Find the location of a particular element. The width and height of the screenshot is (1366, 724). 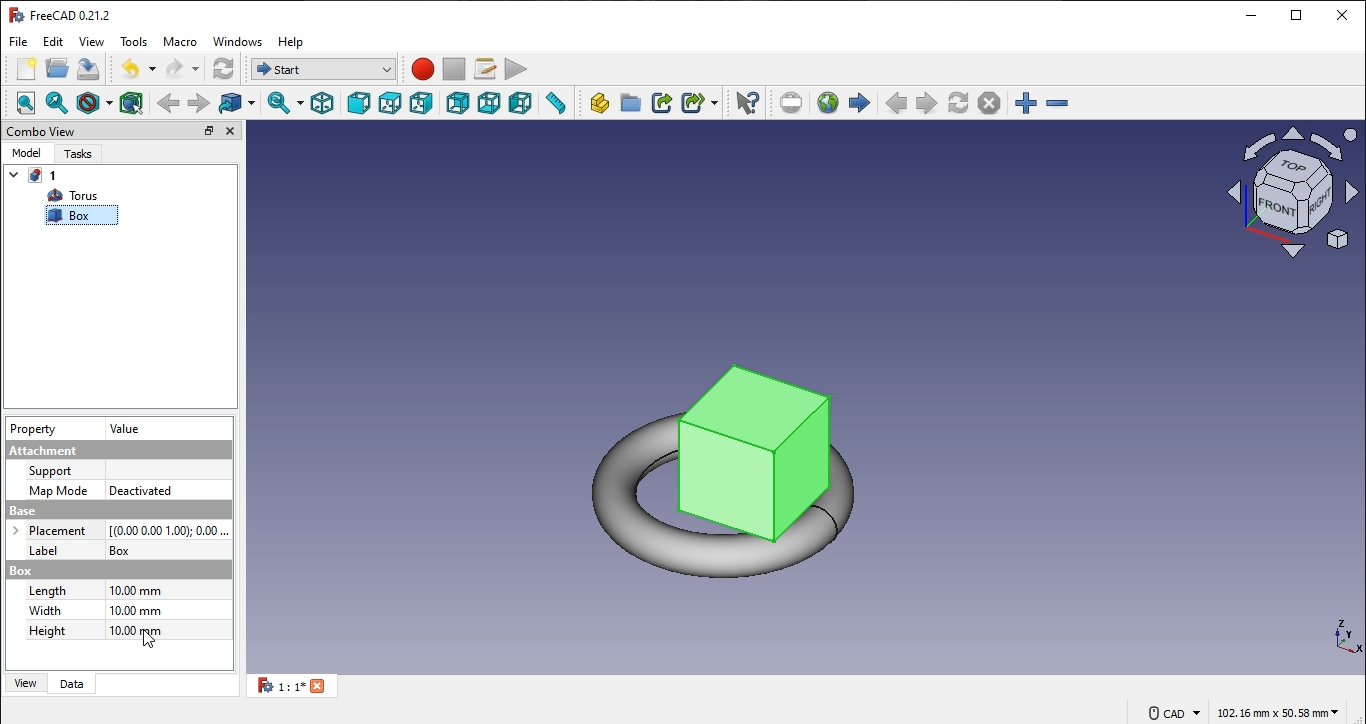

set URL is located at coordinates (792, 102).